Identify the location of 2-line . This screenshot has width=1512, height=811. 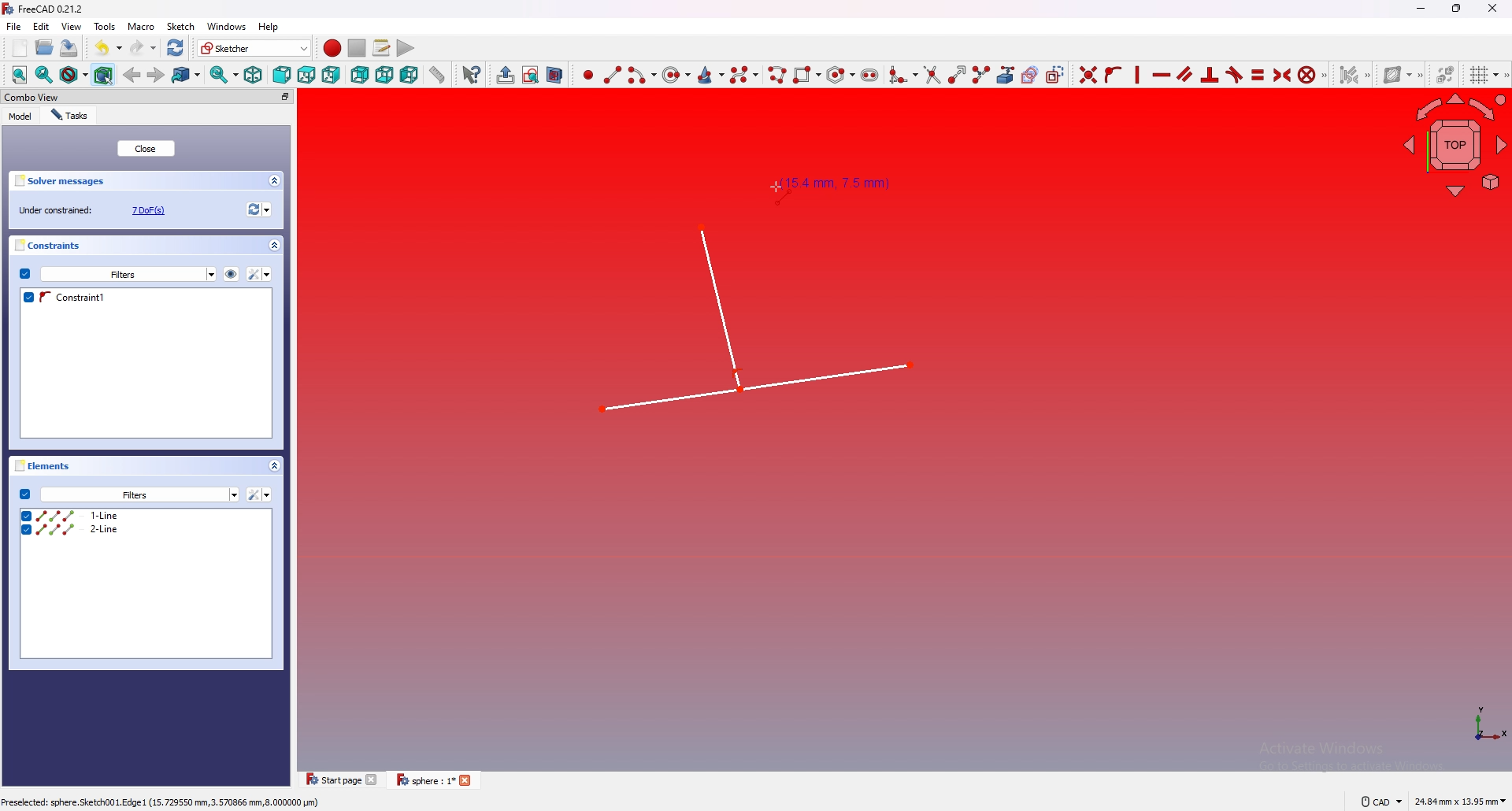
(150, 530).